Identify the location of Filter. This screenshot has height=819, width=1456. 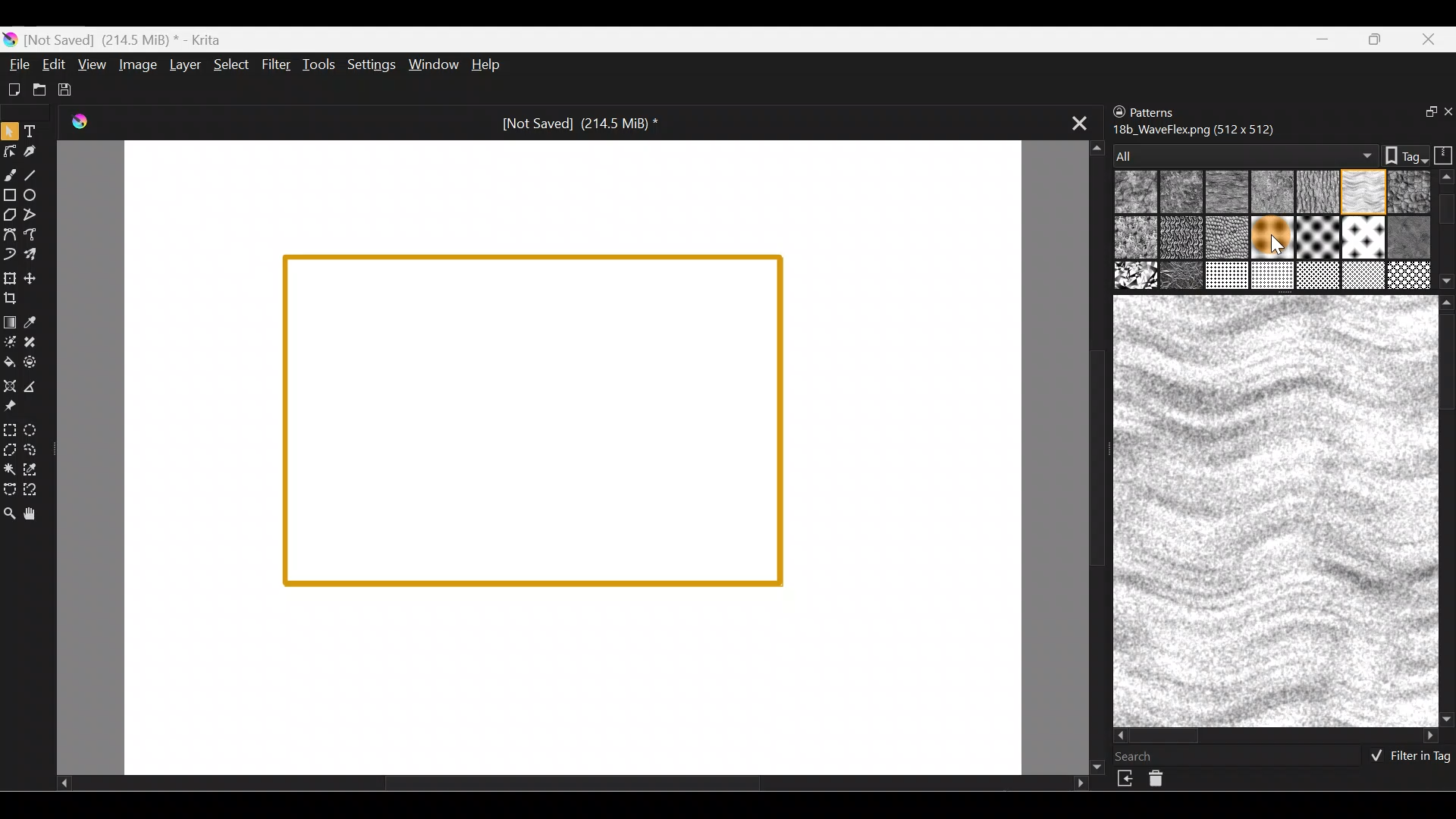
(276, 63).